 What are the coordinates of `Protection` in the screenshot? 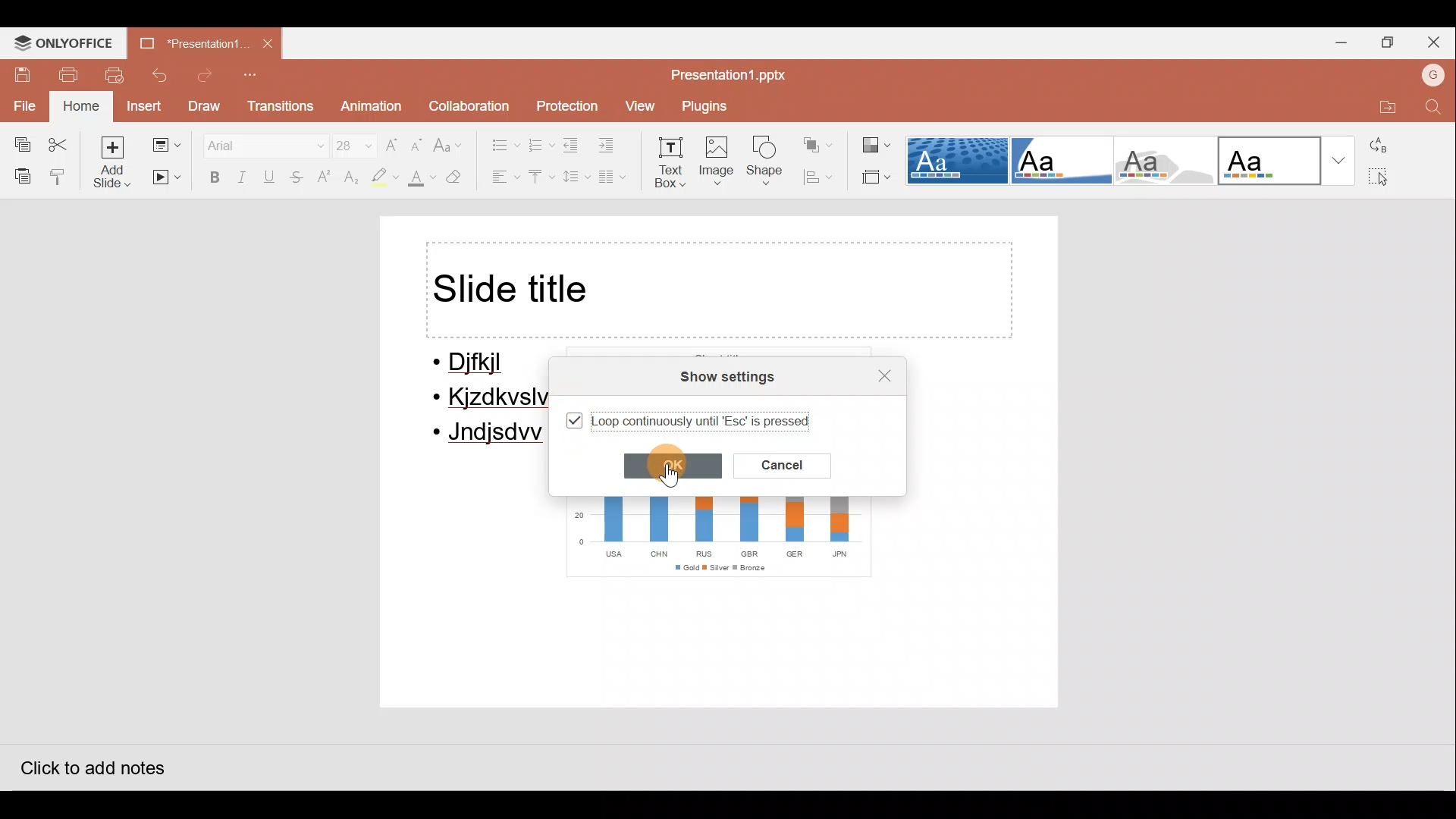 It's located at (567, 103).